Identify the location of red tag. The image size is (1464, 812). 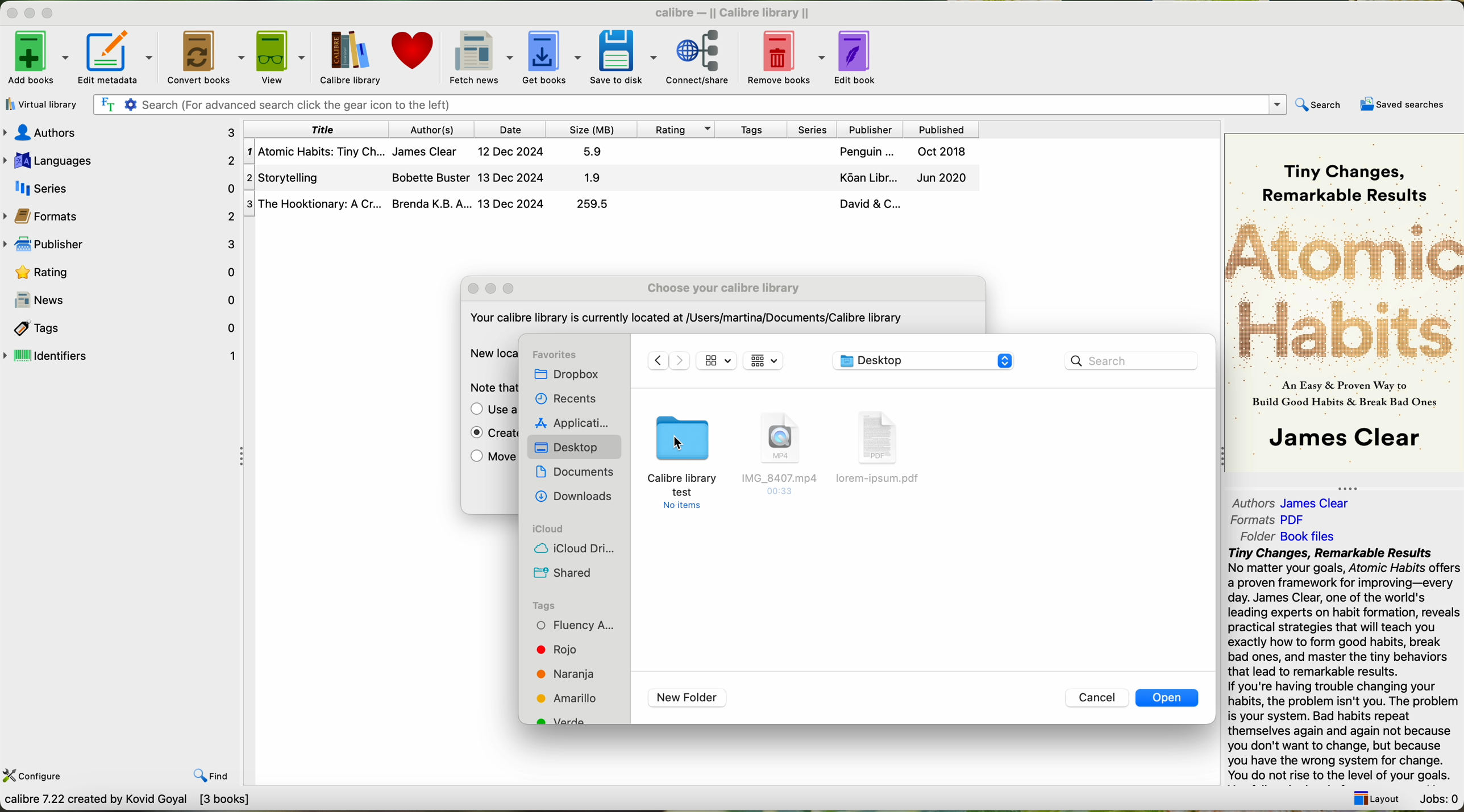
(554, 649).